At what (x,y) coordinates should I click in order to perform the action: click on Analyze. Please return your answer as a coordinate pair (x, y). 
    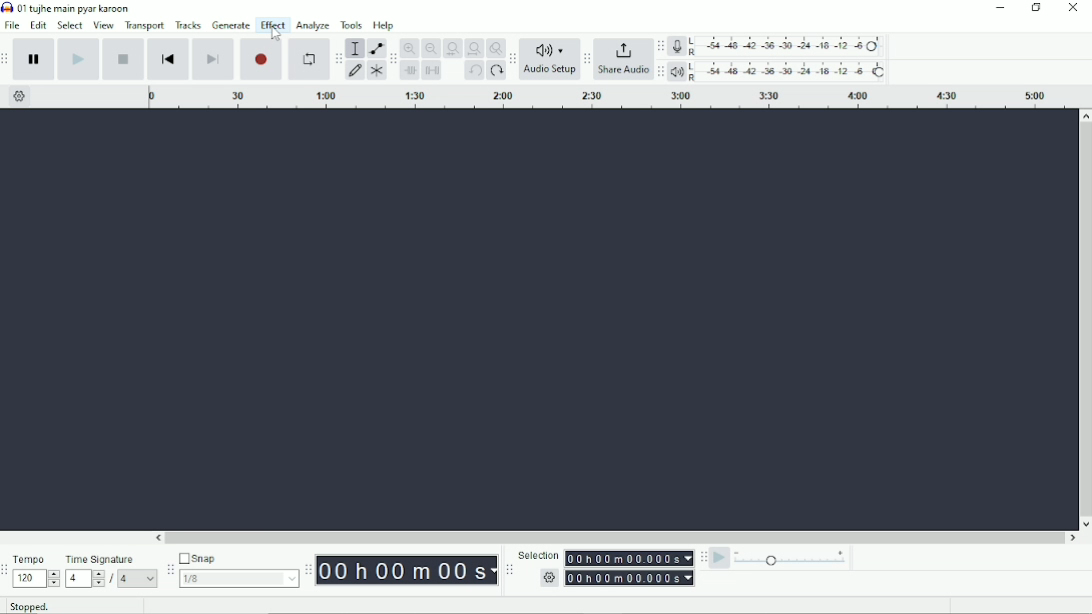
    Looking at the image, I should click on (313, 25).